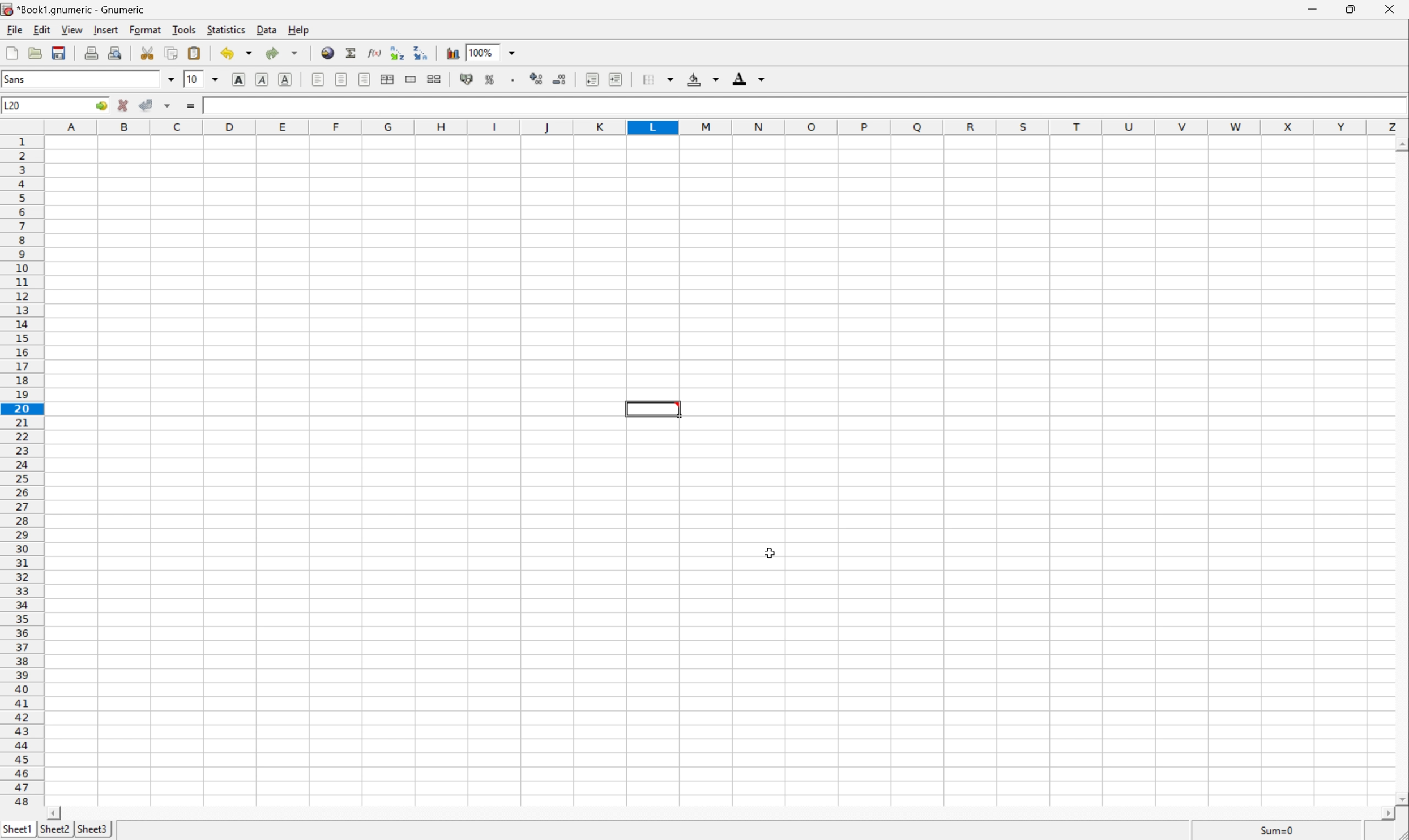 The width and height of the screenshot is (1409, 840). What do you see at coordinates (1274, 831) in the screenshot?
I see `Sum=0` at bounding box center [1274, 831].